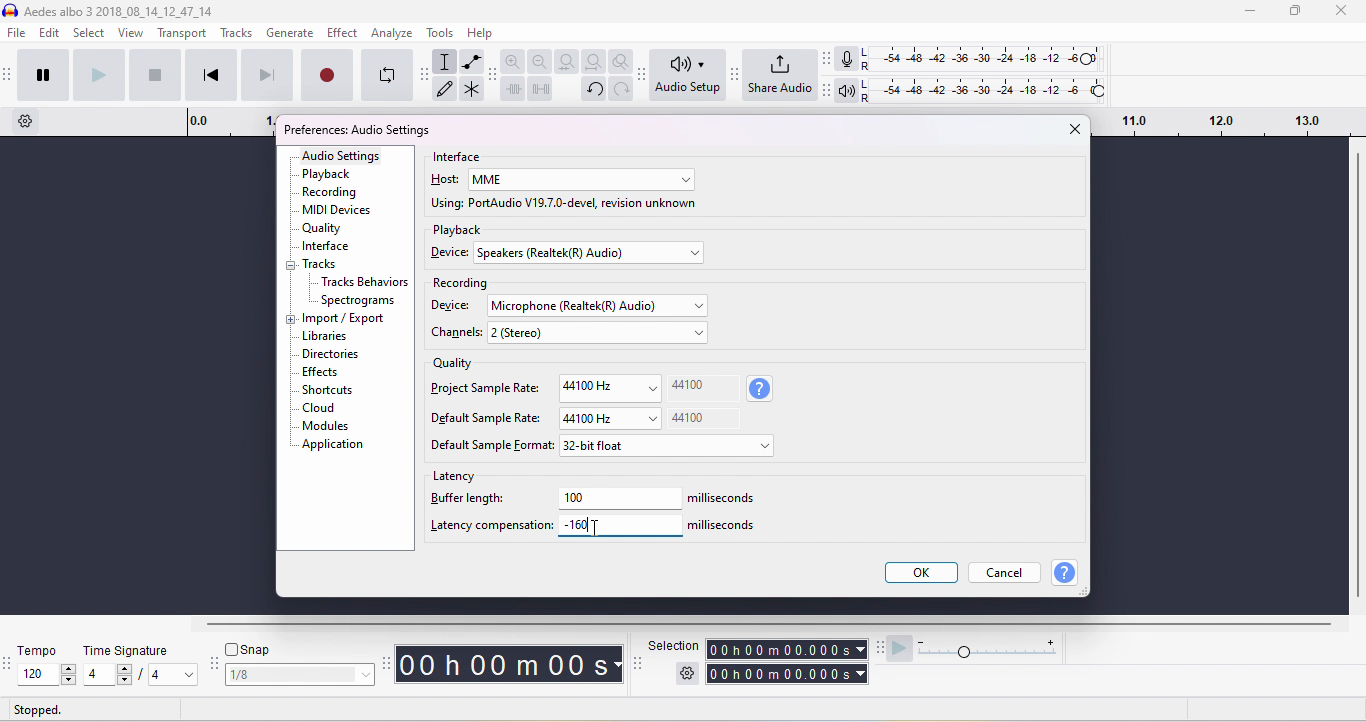 This screenshot has width=1366, height=722. What do you see at coordinates (487, 418) in the screenshot?
I see `Default sample rate:` at bounding box center [487, 418].